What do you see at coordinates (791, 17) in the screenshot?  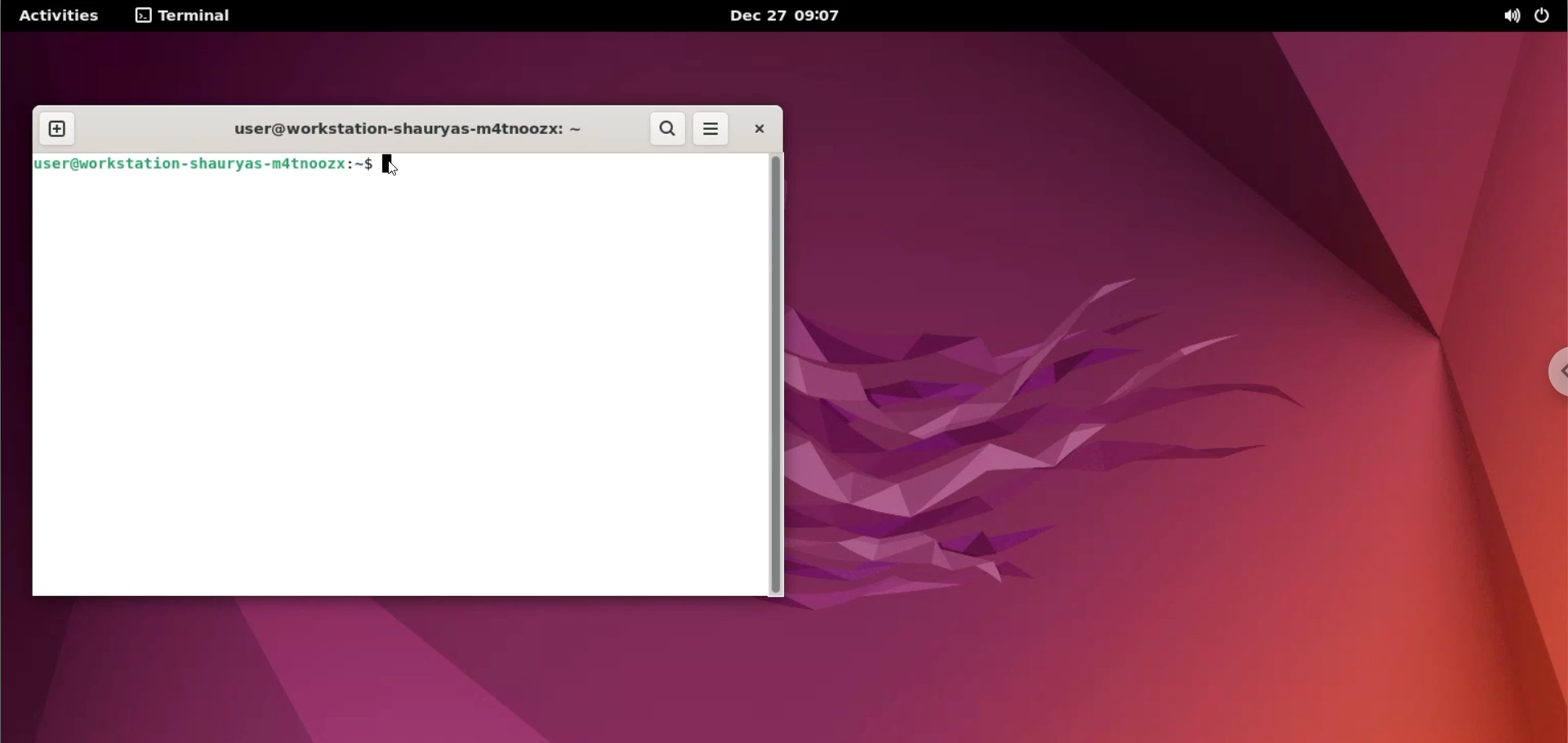 I see `Dec 27 09:07` at bounding box center [791, 17].